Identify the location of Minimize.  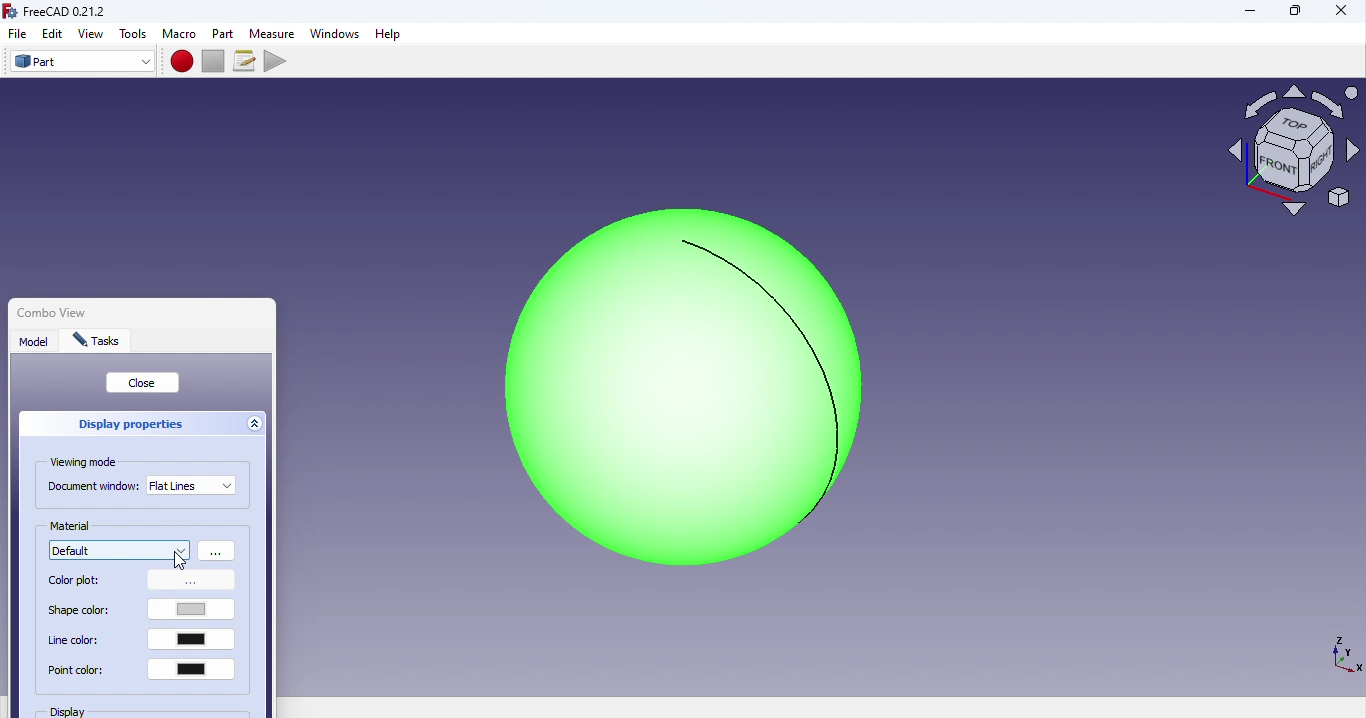
(1247, 11).